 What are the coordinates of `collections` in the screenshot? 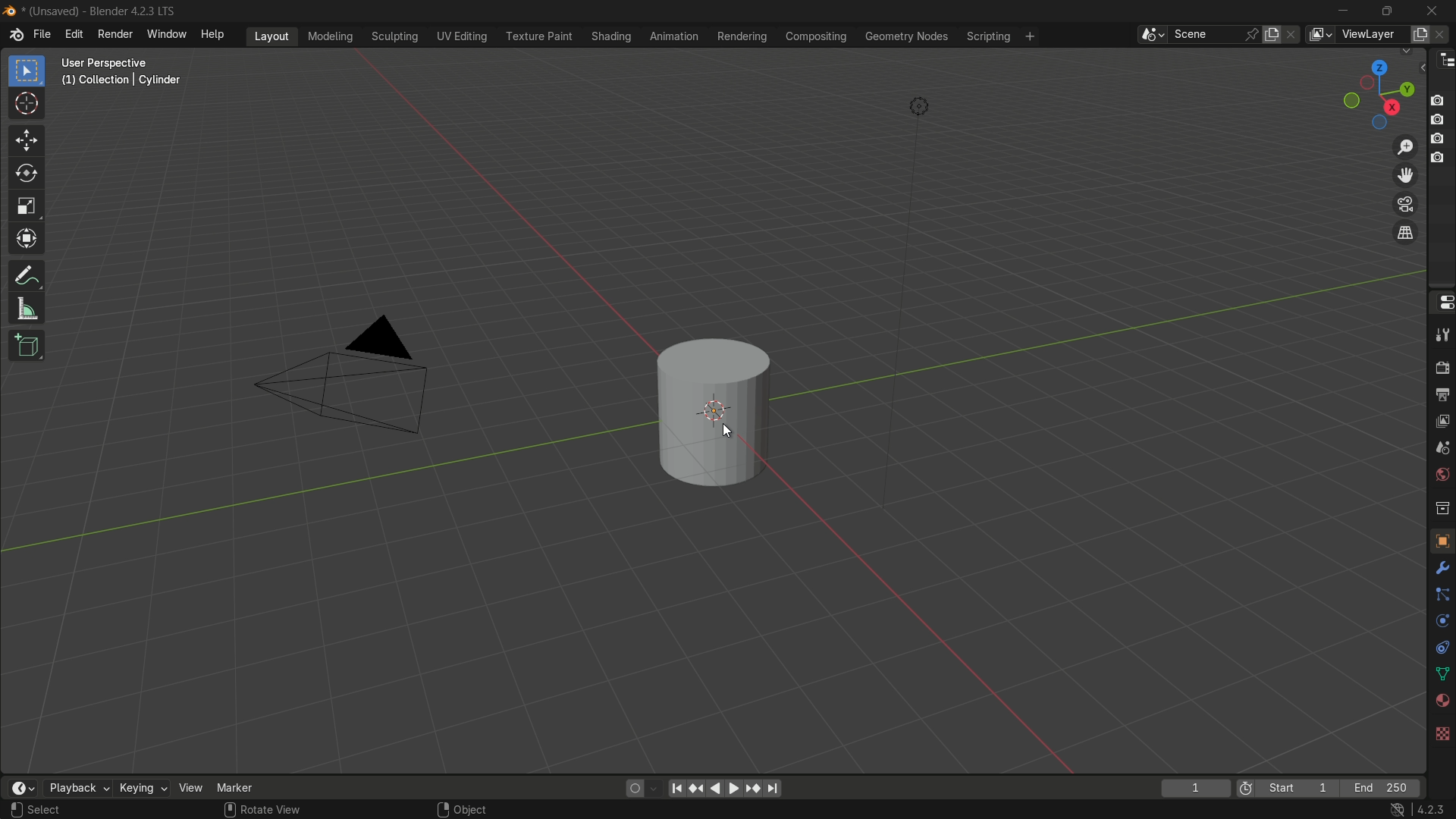 It's located at (1442, 508).